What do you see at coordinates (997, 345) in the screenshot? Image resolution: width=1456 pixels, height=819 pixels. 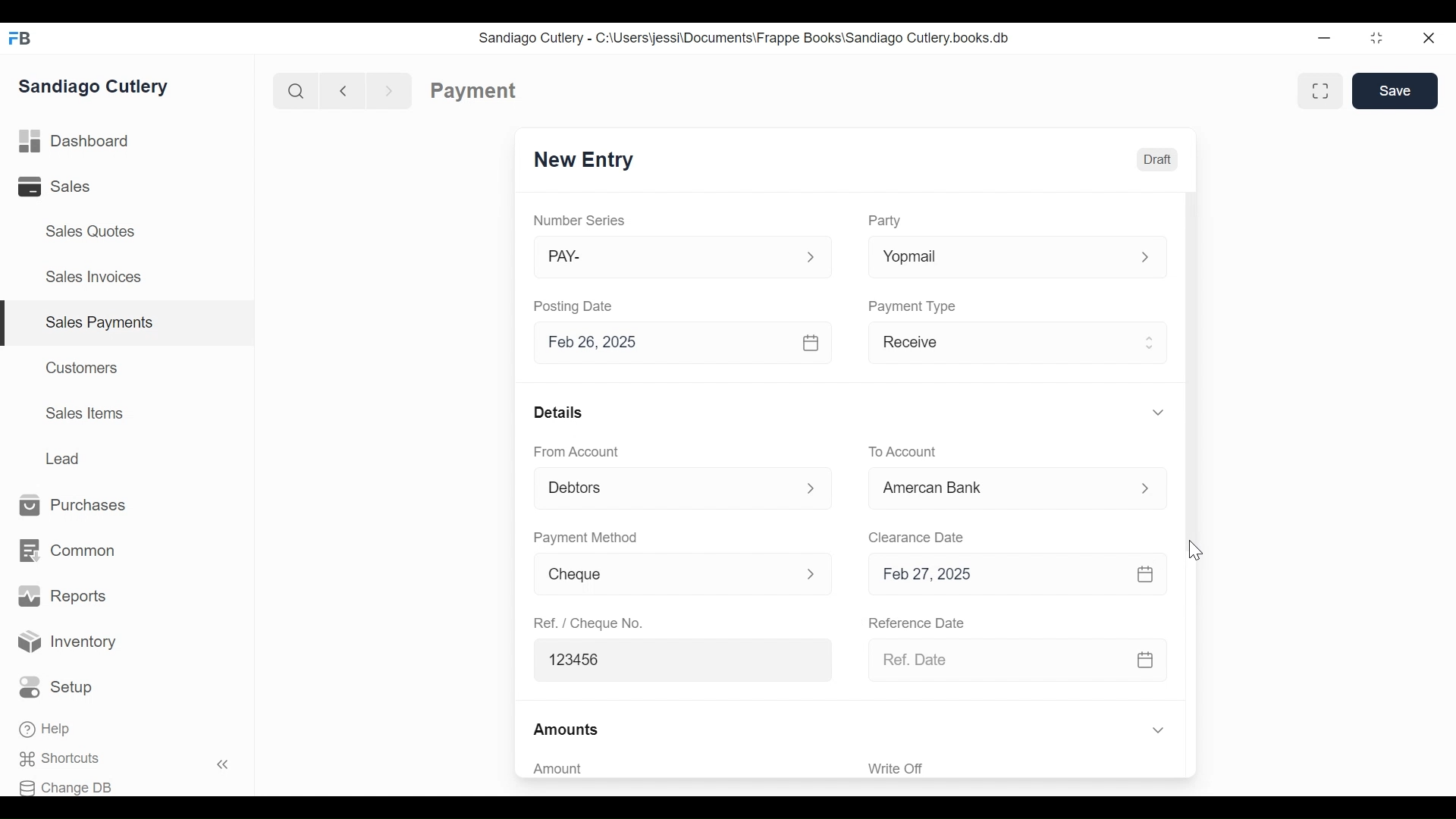 I see `Receive` at bounding box center [997, 345].